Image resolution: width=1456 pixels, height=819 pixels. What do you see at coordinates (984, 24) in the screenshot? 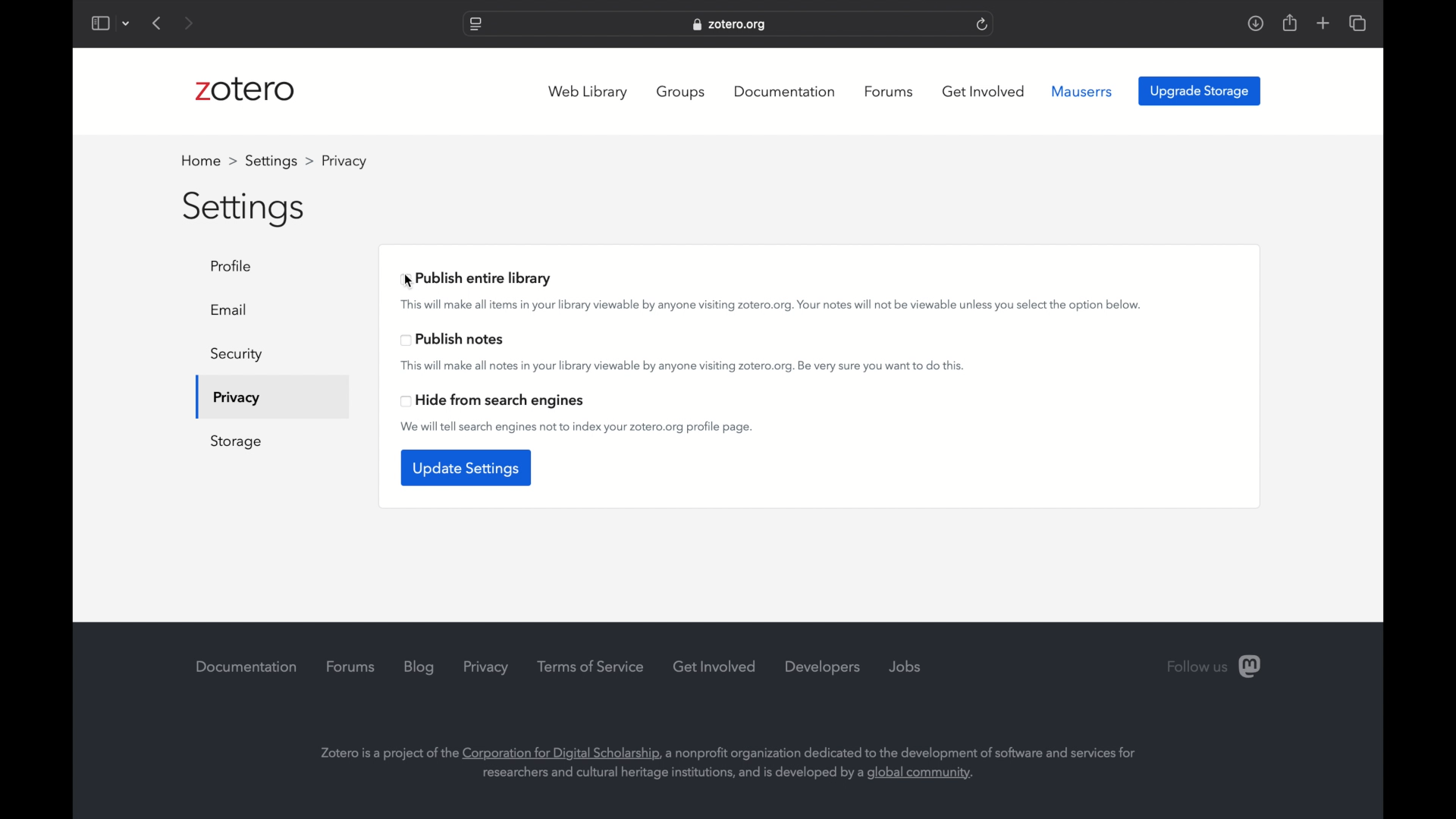
I see `refresh` at bounding box center [984, 24].